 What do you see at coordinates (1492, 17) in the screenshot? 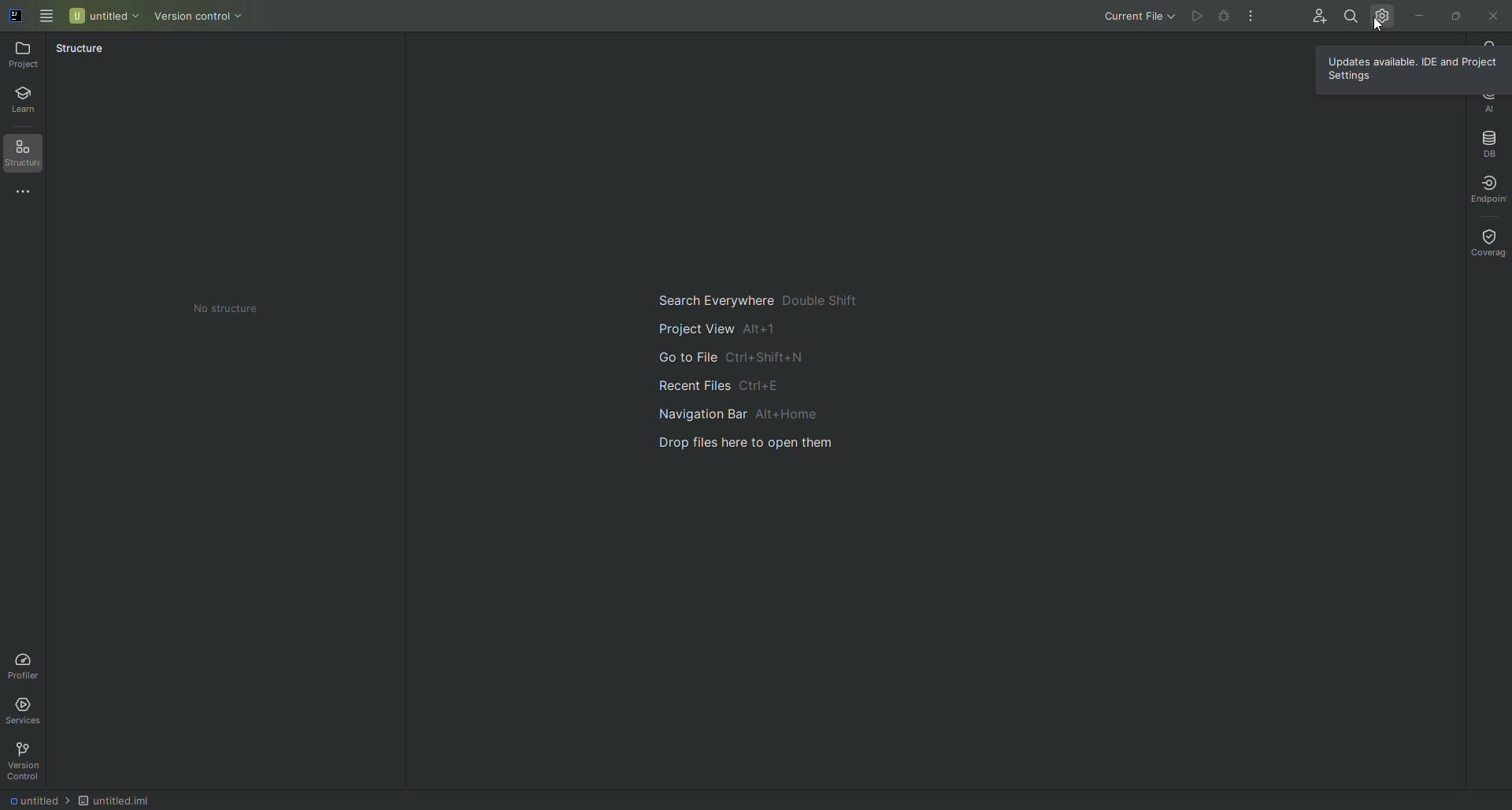
I see `Close` at bounding box center [1492, 17].